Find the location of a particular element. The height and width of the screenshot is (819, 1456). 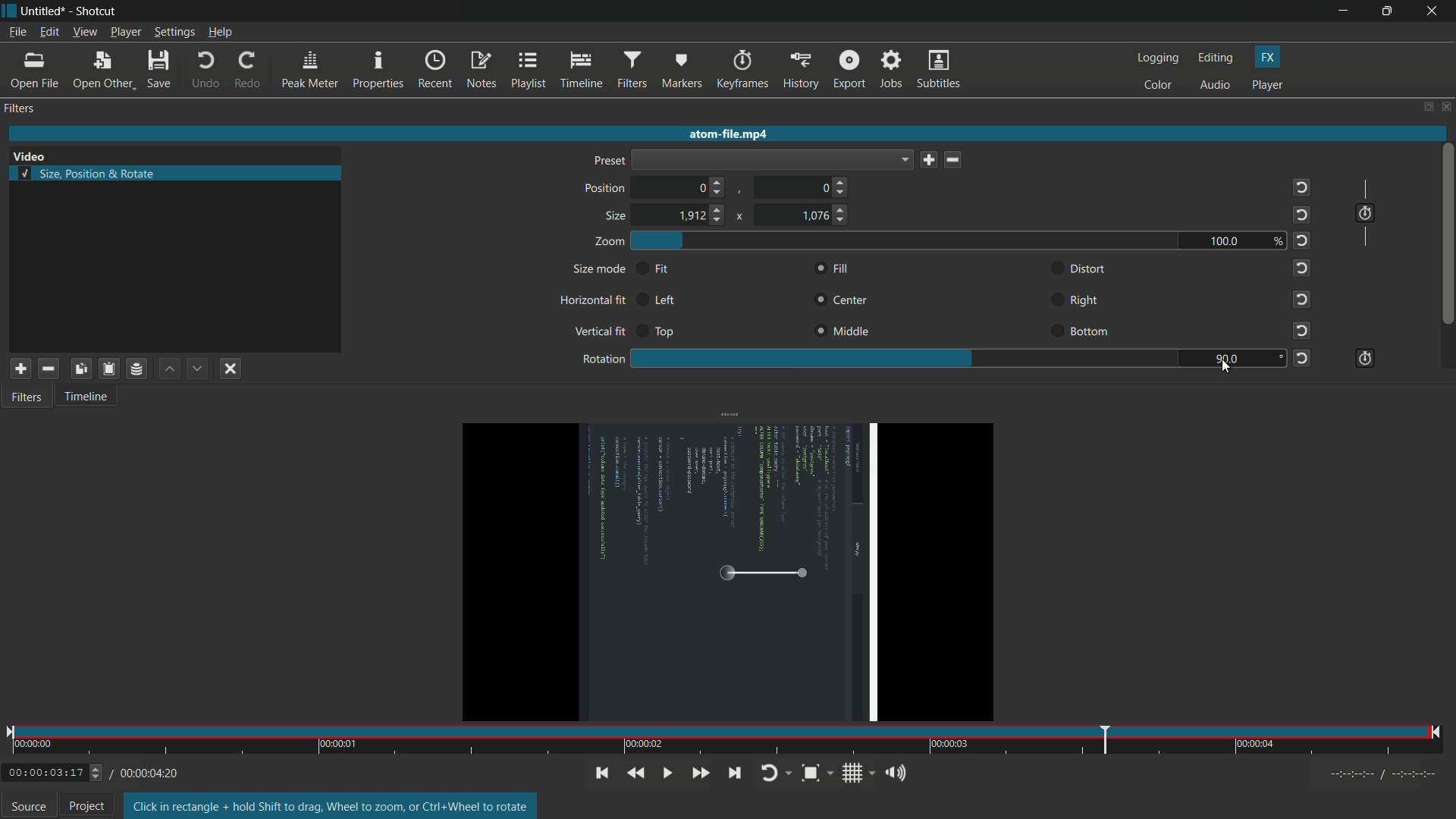

scroll bar is located at coordinates (1447, 234).